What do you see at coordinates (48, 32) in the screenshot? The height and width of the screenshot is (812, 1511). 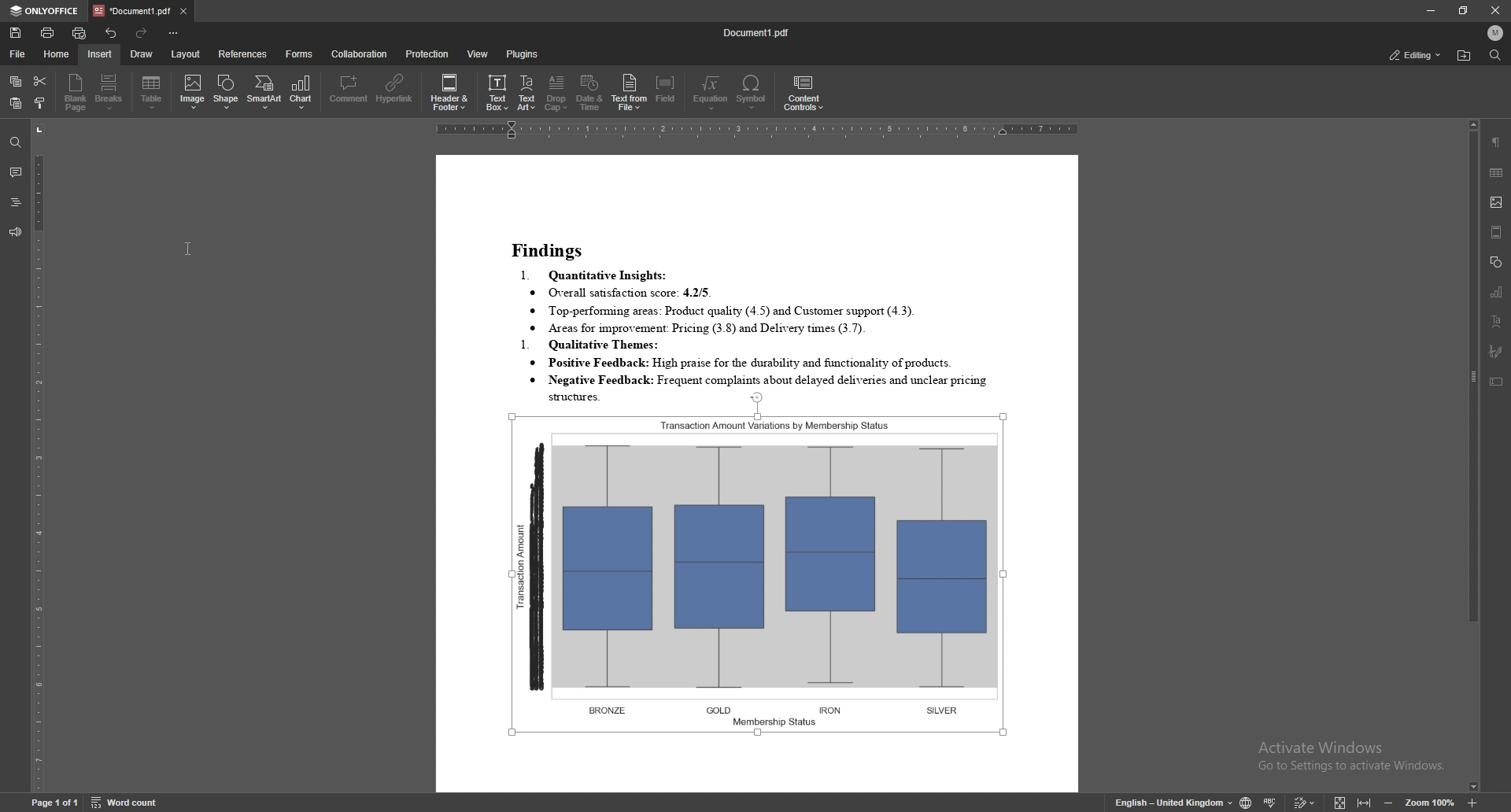 I see `print` at bounding box center [48, 32].